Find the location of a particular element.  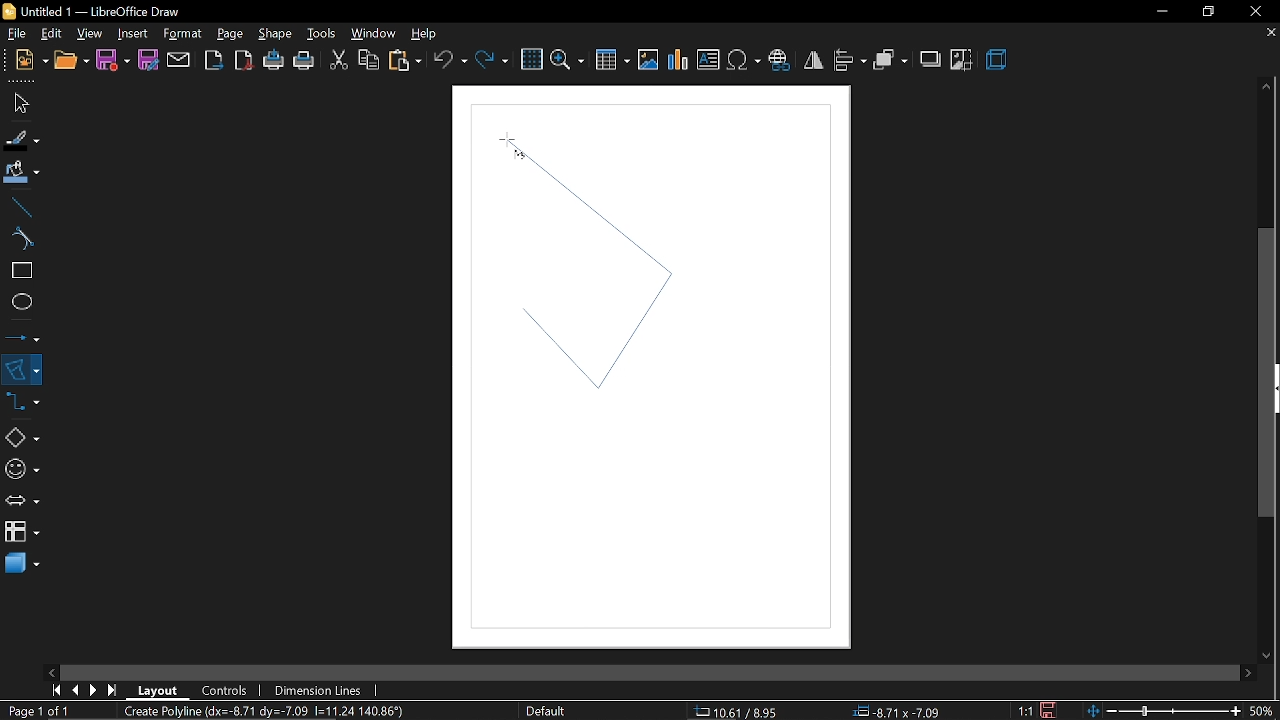

paste is located at coordinates (404, 60).